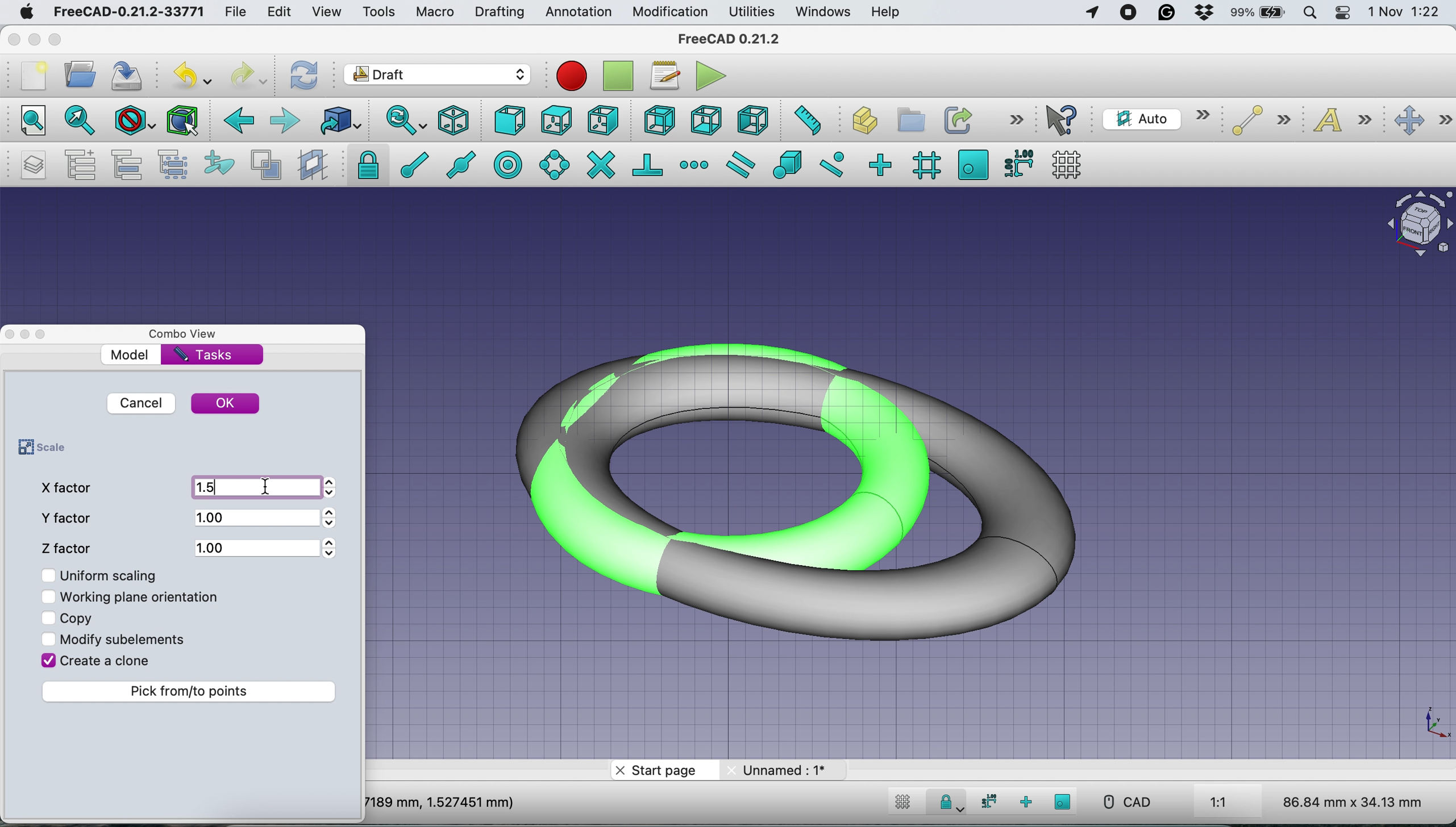 The width and height of the screenshot is (1456, 827). Describe the element at coordinates (924, 166) in the screenshot. I see `snap grid` at that location.